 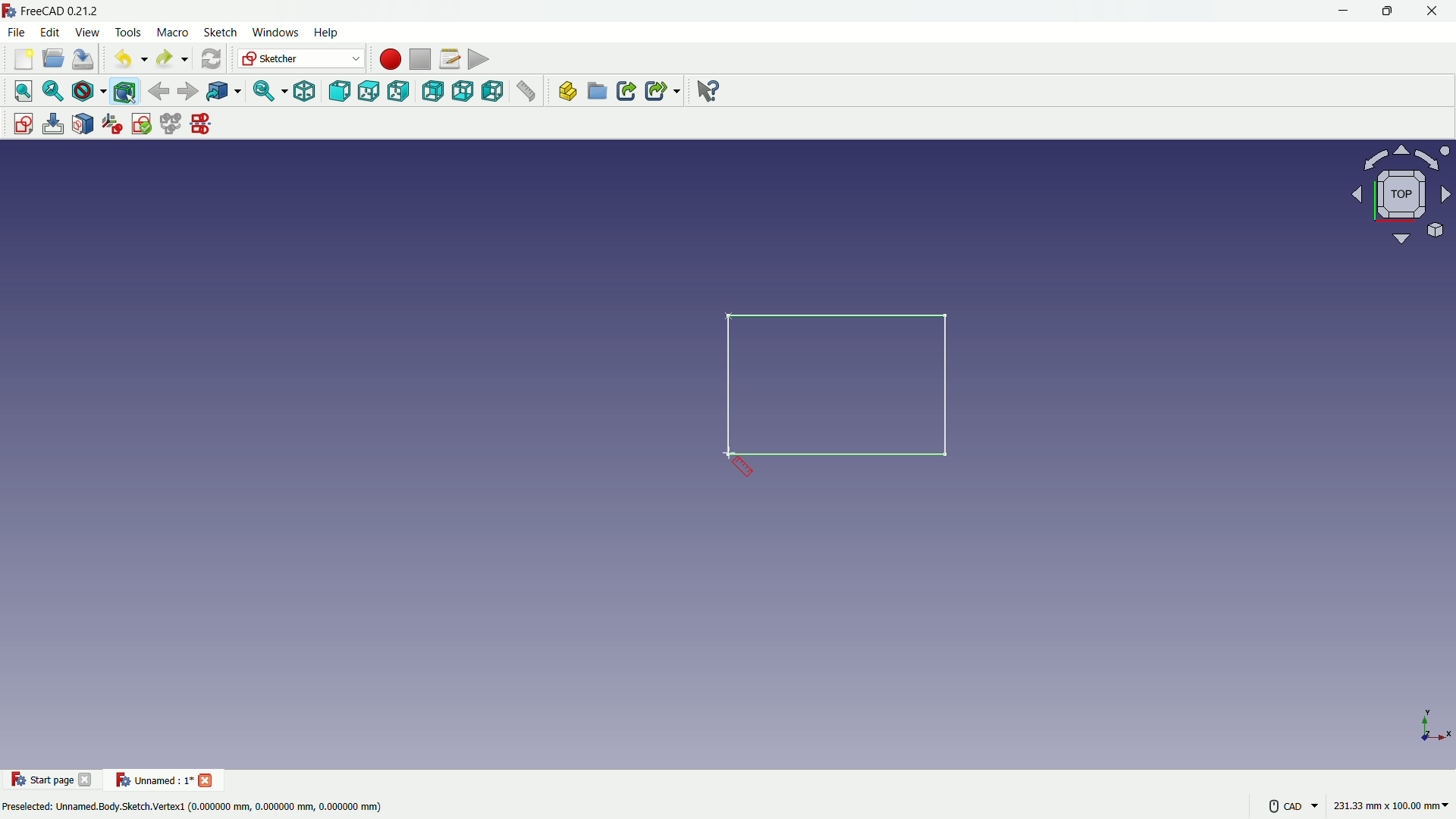 What do you see at coordinates (52, 91) in the screenshot?
I see `fit selection` at bounding box center [52, 91].